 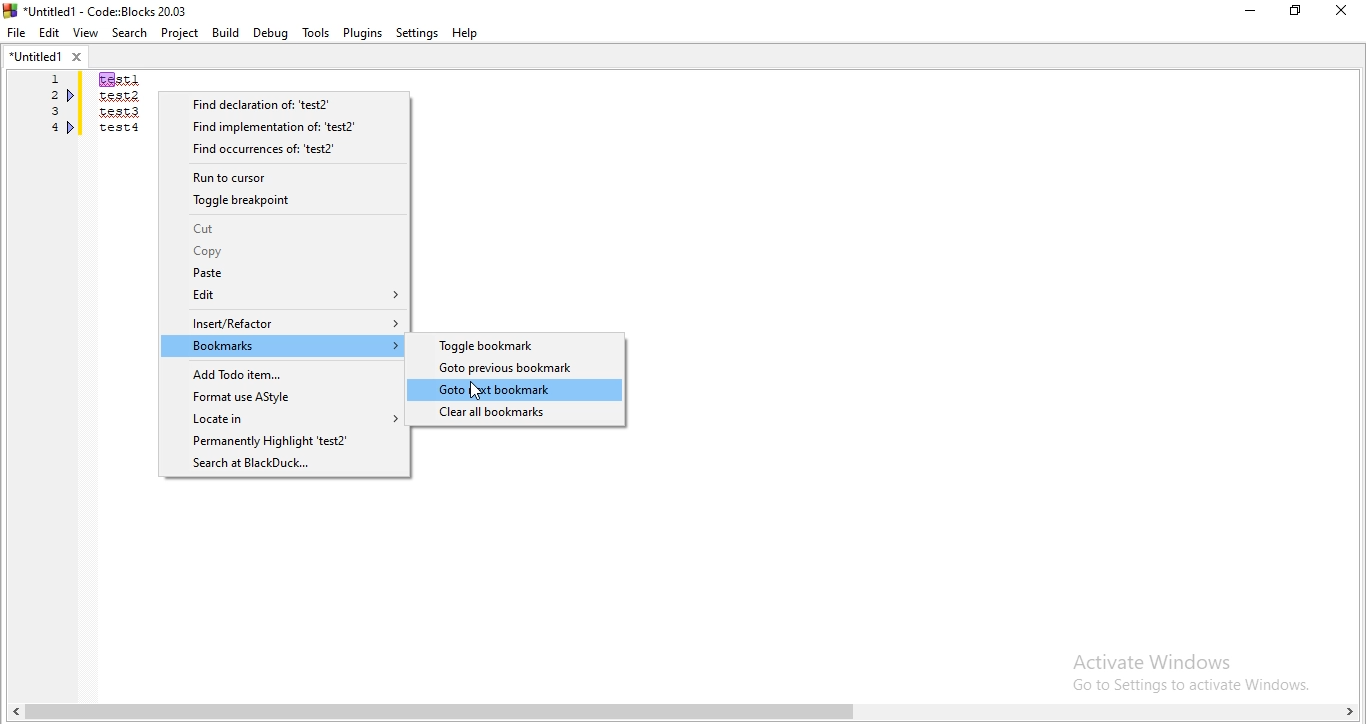 What do you see at coordinates (284, 228) in the screenshot?
I see `Cut` at bounding box center [284, 228].